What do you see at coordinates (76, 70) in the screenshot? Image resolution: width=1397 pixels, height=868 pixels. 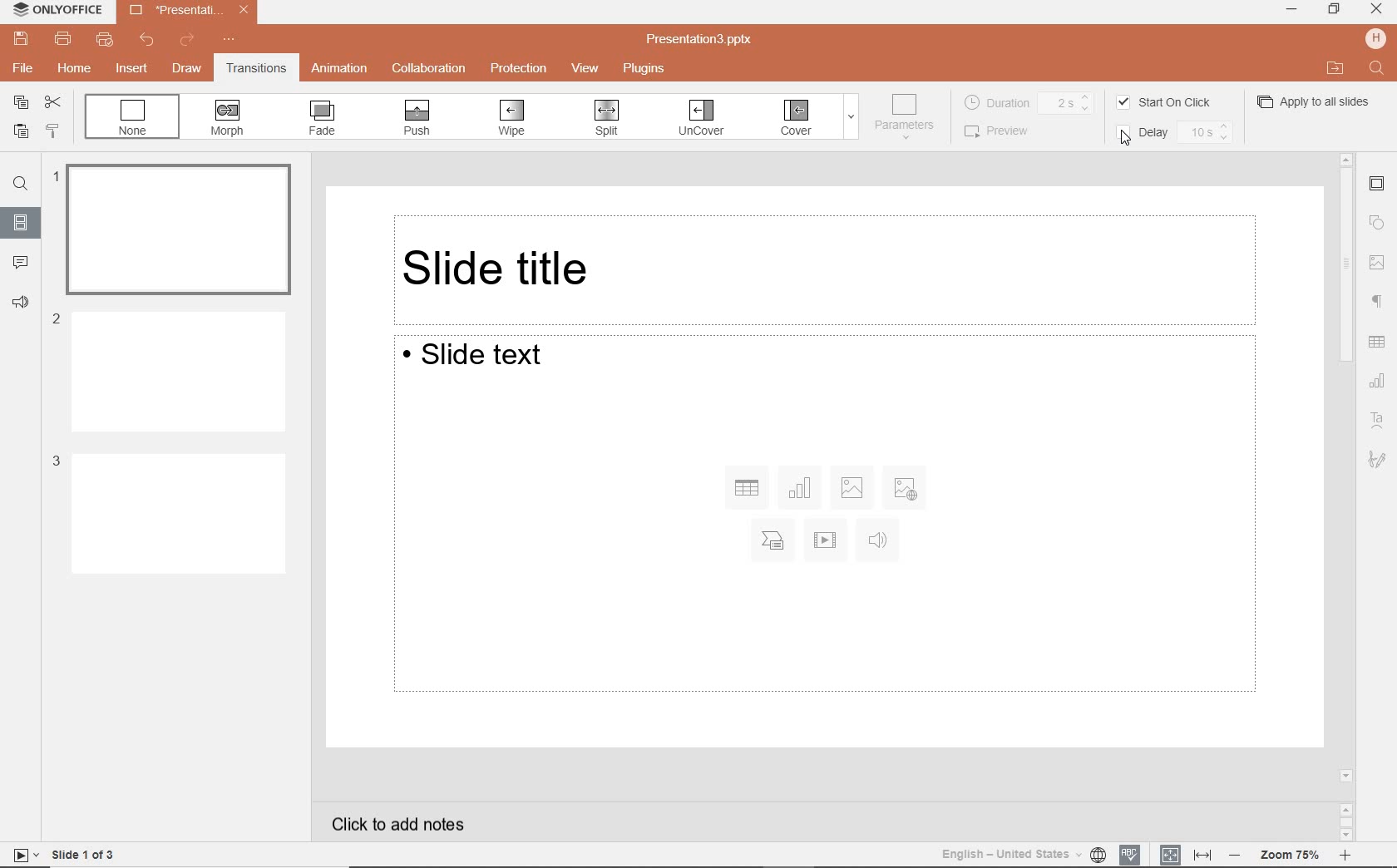 I see `home` at bounding box center [76, 70].